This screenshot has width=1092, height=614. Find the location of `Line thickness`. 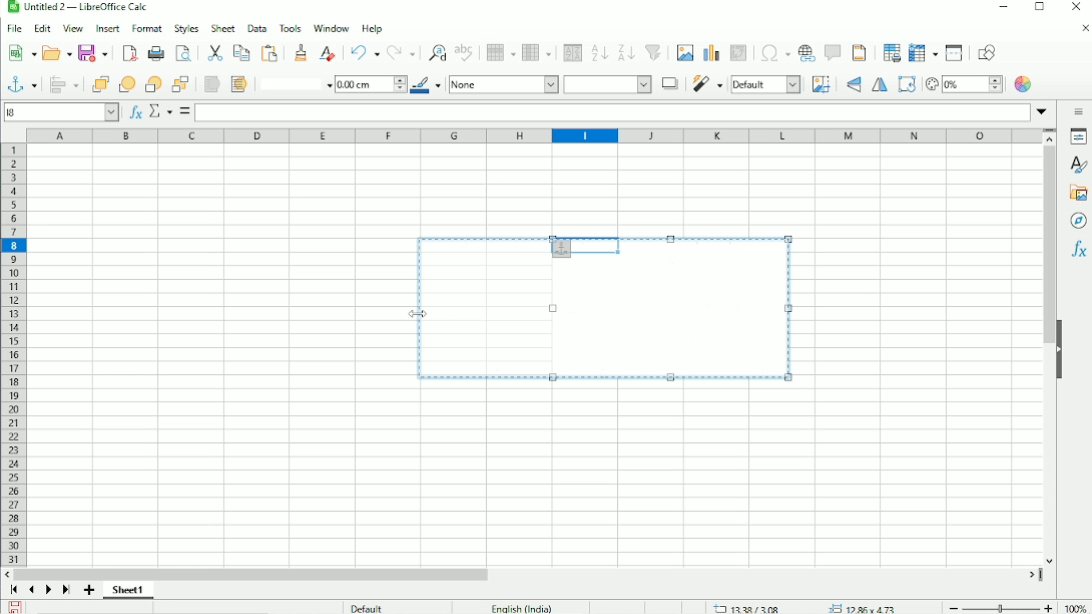

Line thickness is located at coordinates (370, 83).